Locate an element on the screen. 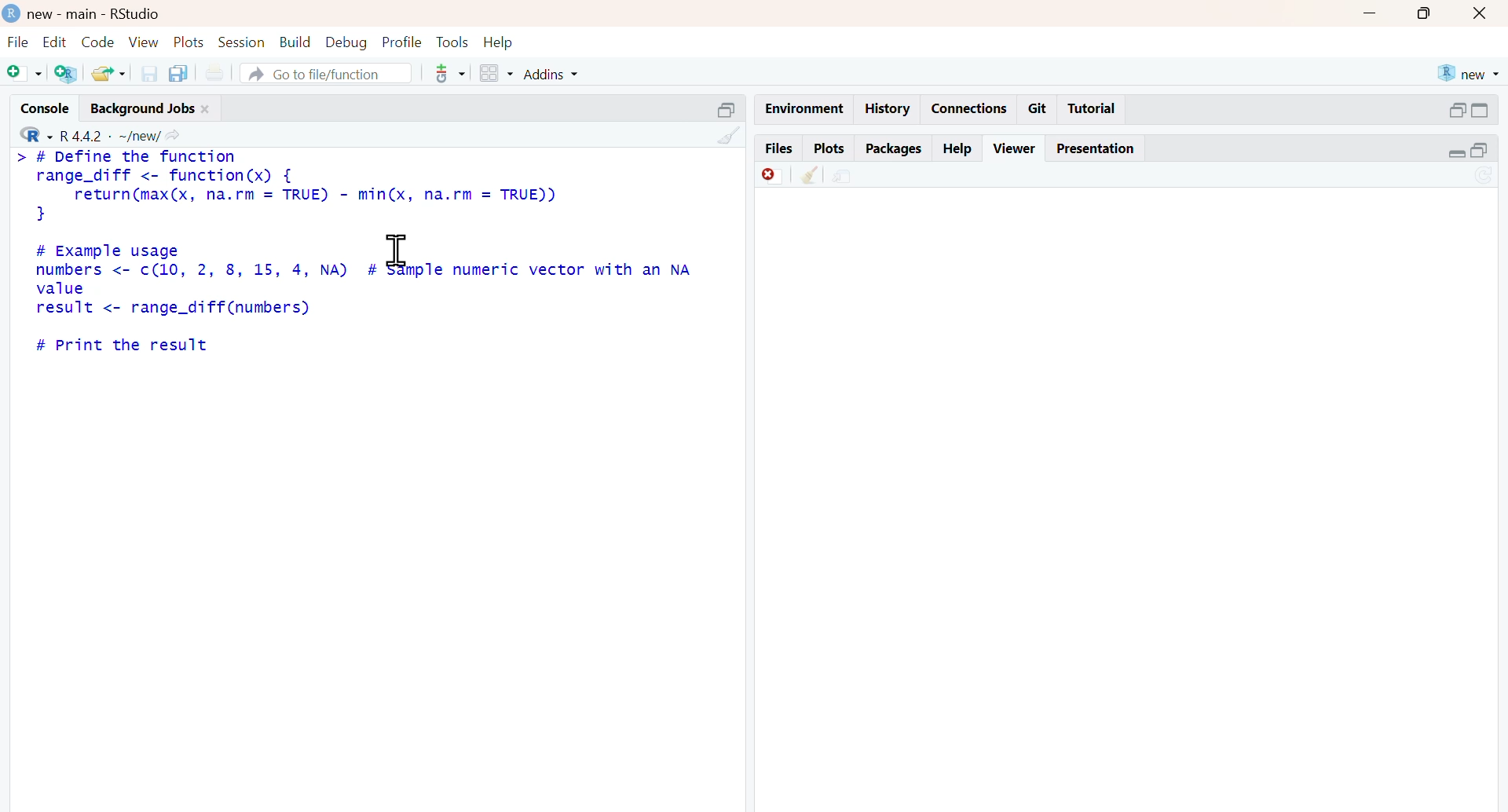 The image size is (1508, 812). tutorial is located at coordinates (1093, 109).